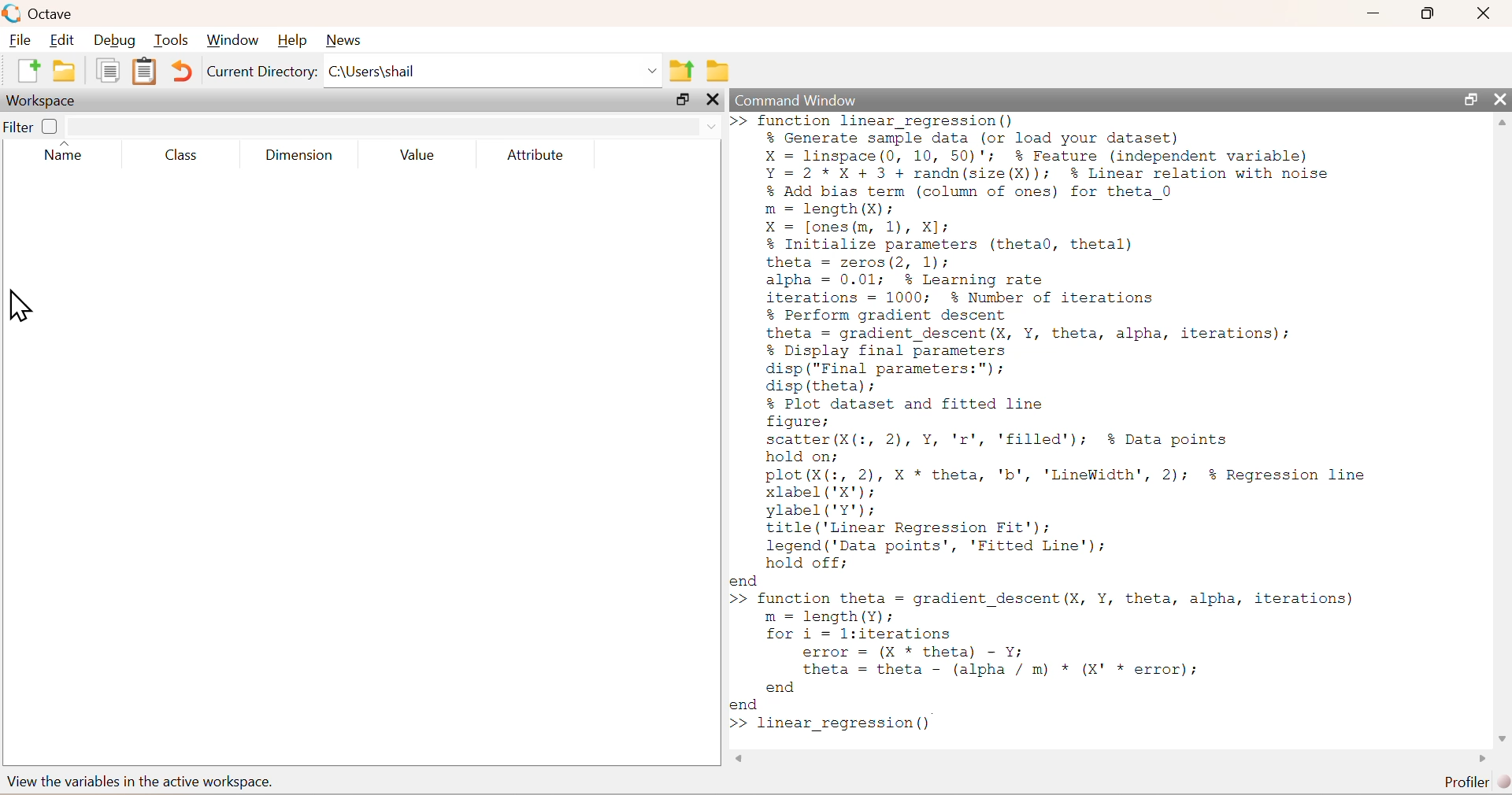 The width and height of the screenshot is (1512, 795). What do you see at coordinates (182, 156) in the screenshot?
I see `Class` at bounding box center [182, 156].